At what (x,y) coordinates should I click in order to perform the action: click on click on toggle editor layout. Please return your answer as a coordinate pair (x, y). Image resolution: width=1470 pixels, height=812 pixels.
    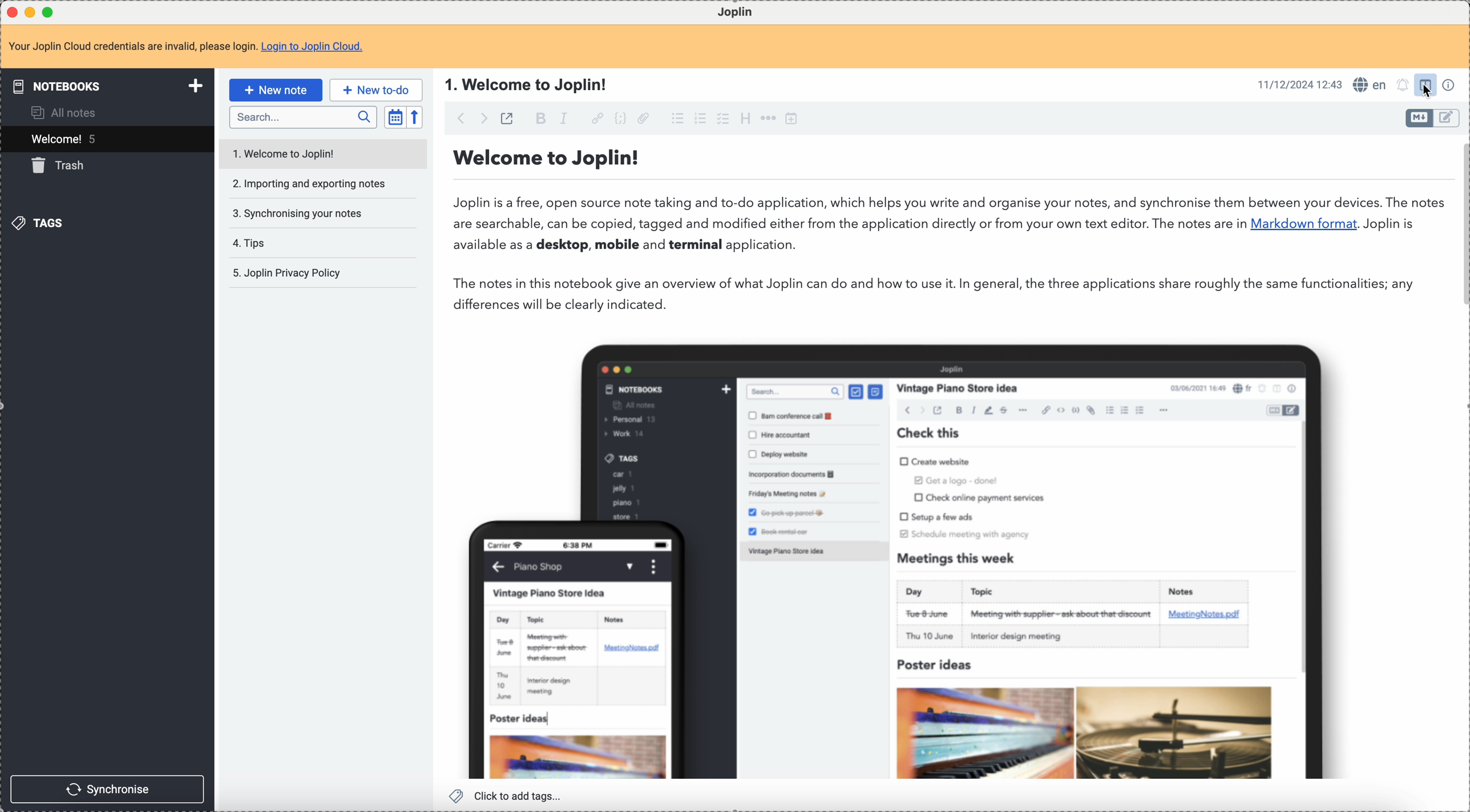
    Looking at the image, I should click on (1425, 86).